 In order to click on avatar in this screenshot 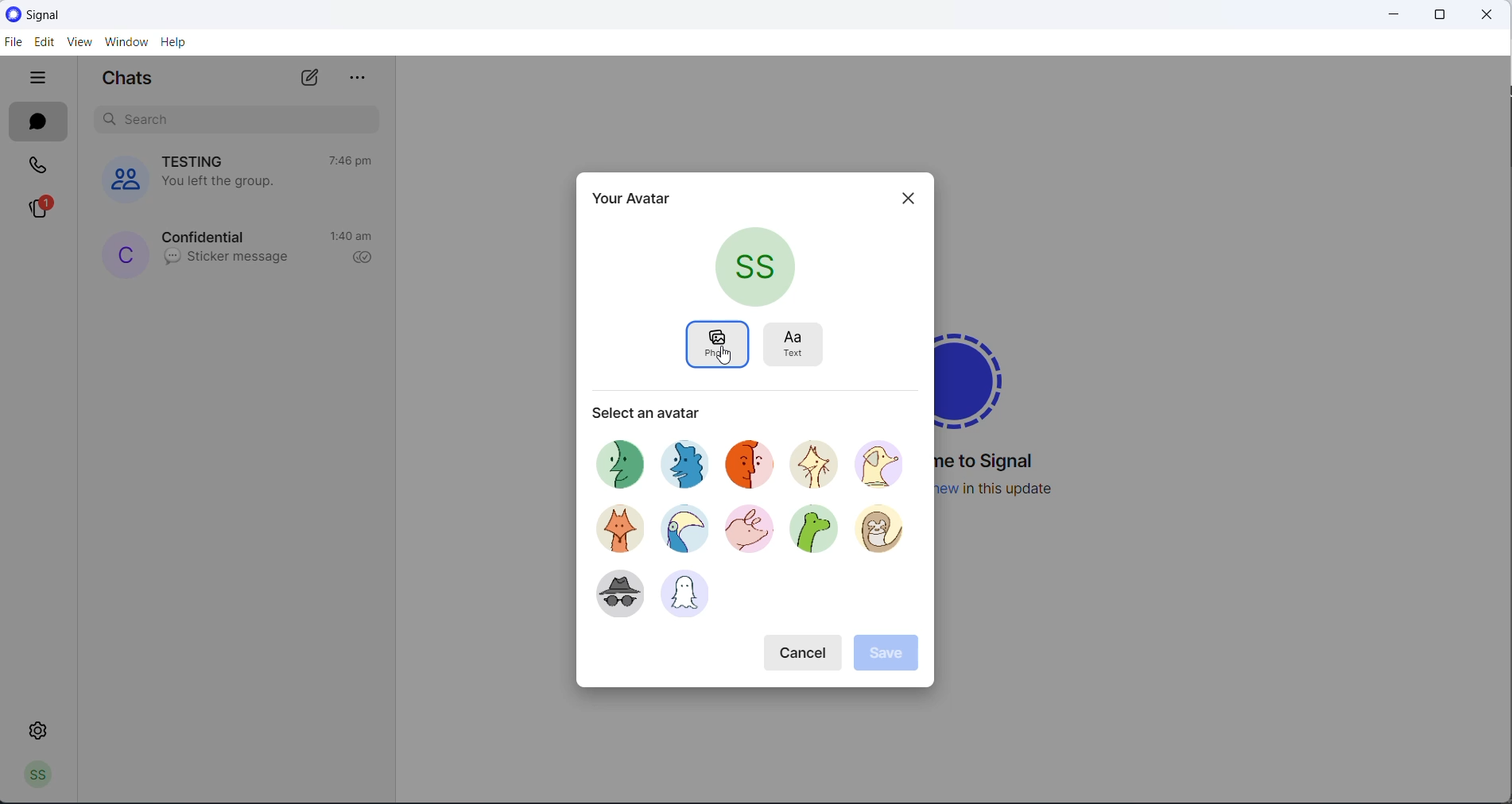, I will do `click(620, 459)`.